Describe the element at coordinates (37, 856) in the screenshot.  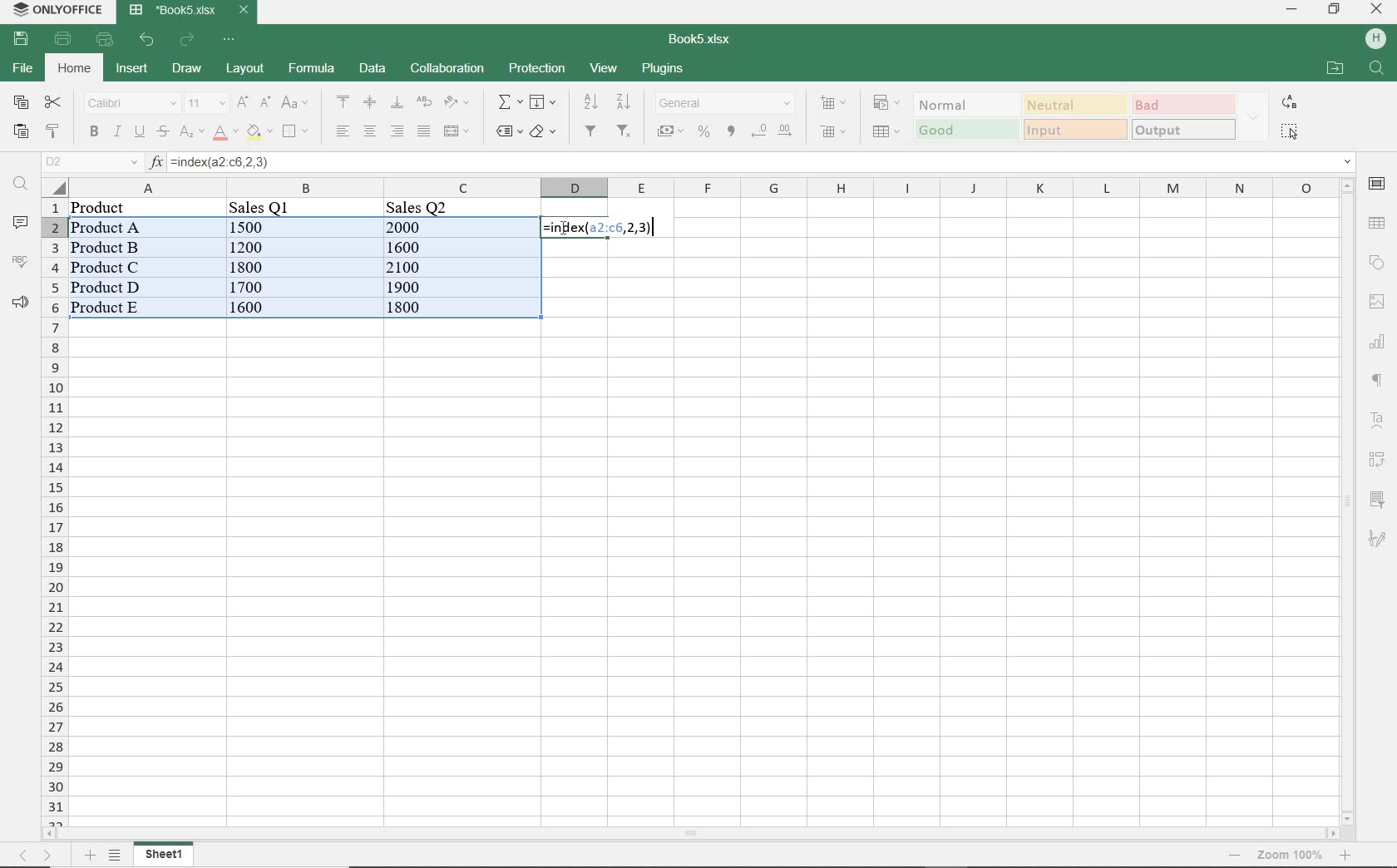
I see `move sheets` at that location.